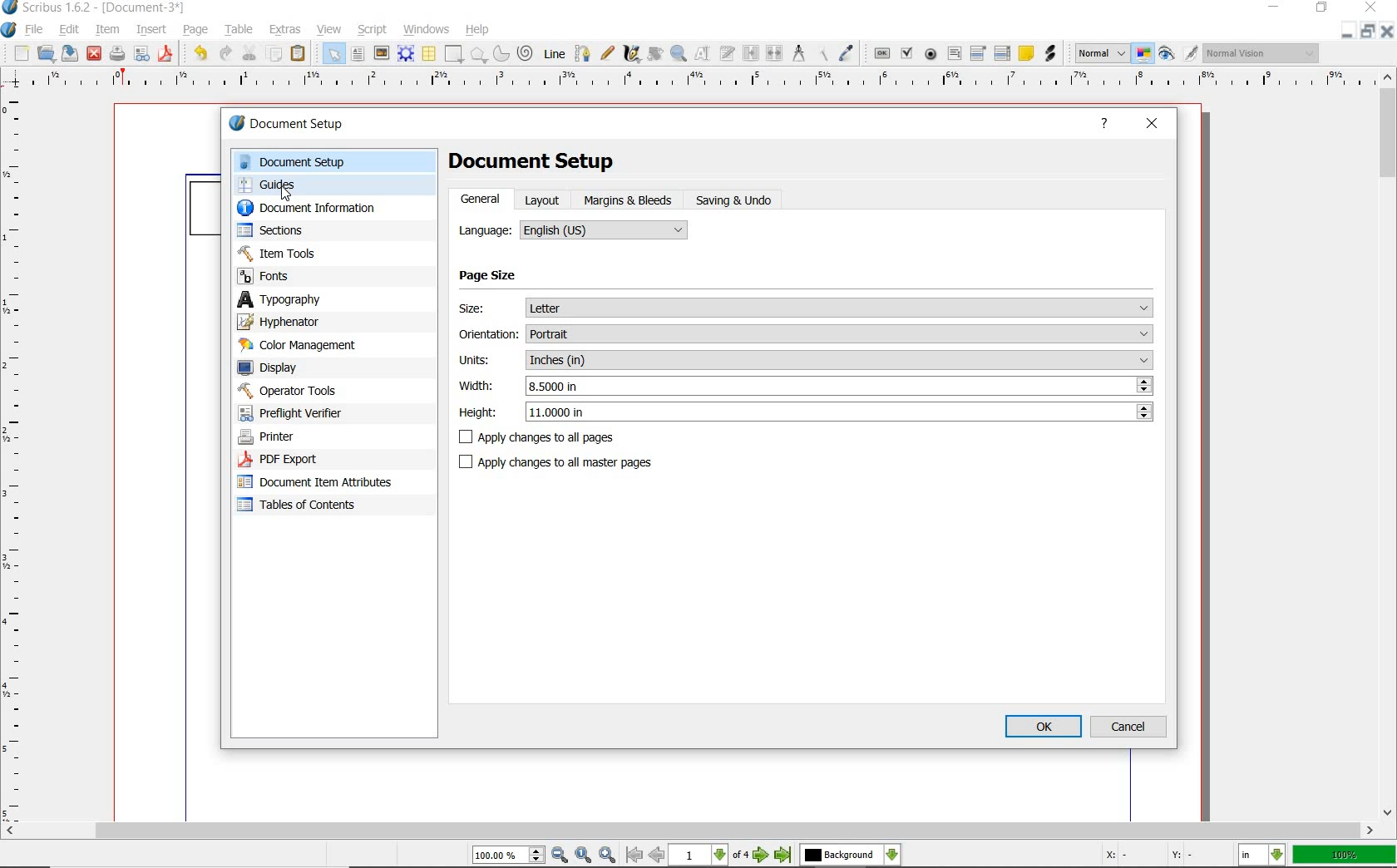 The image size is (1397, 868). I want to click on measurements, so click(797, 52).